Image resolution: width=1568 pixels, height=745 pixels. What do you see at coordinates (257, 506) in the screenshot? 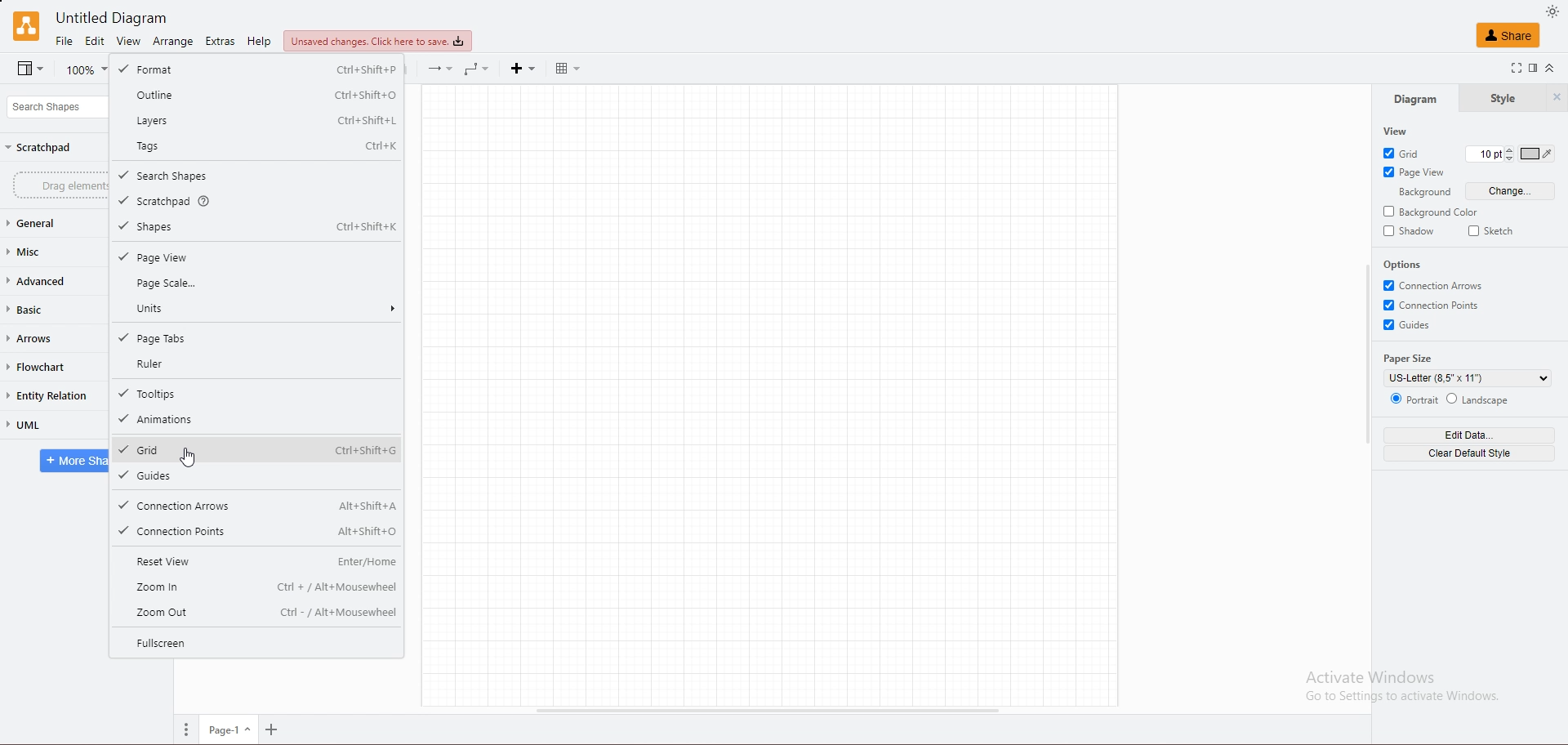
I see `connection arrows        Alt+Shift+A` at bounding box center [257, 506].